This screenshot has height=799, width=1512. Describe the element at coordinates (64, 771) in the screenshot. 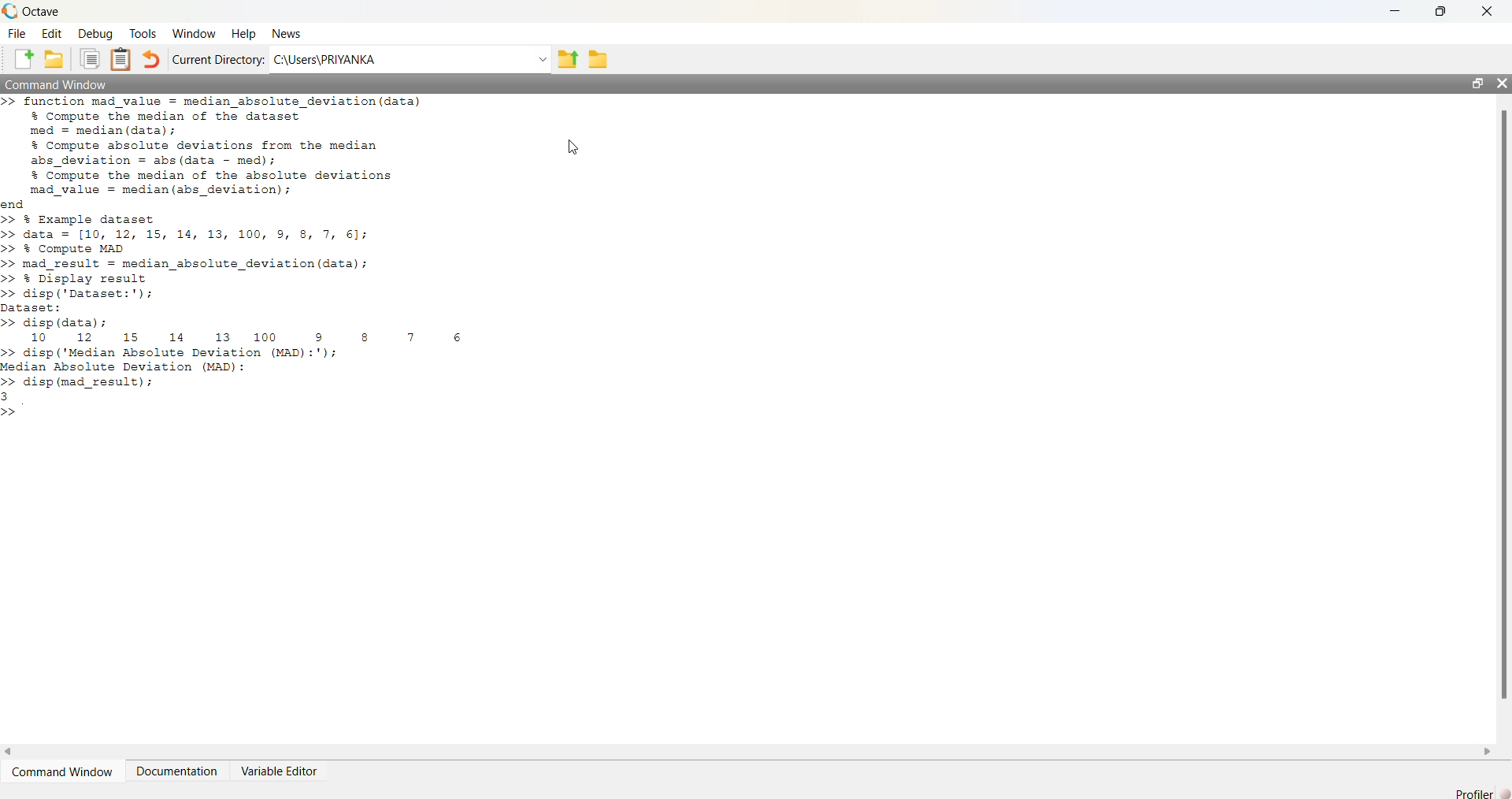

I see `Command Window` at that location.